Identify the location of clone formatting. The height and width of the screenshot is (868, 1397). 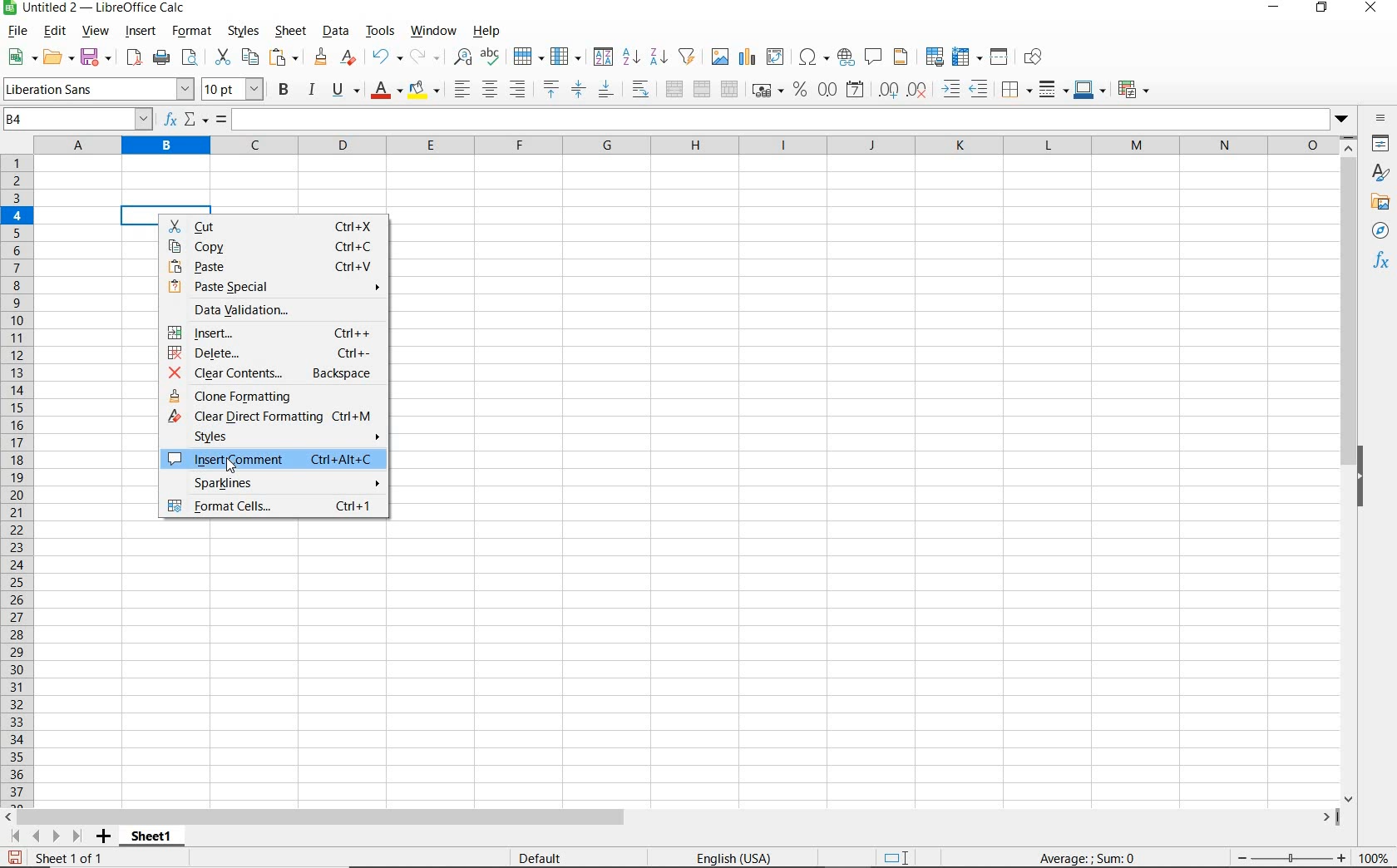
(269, 396).